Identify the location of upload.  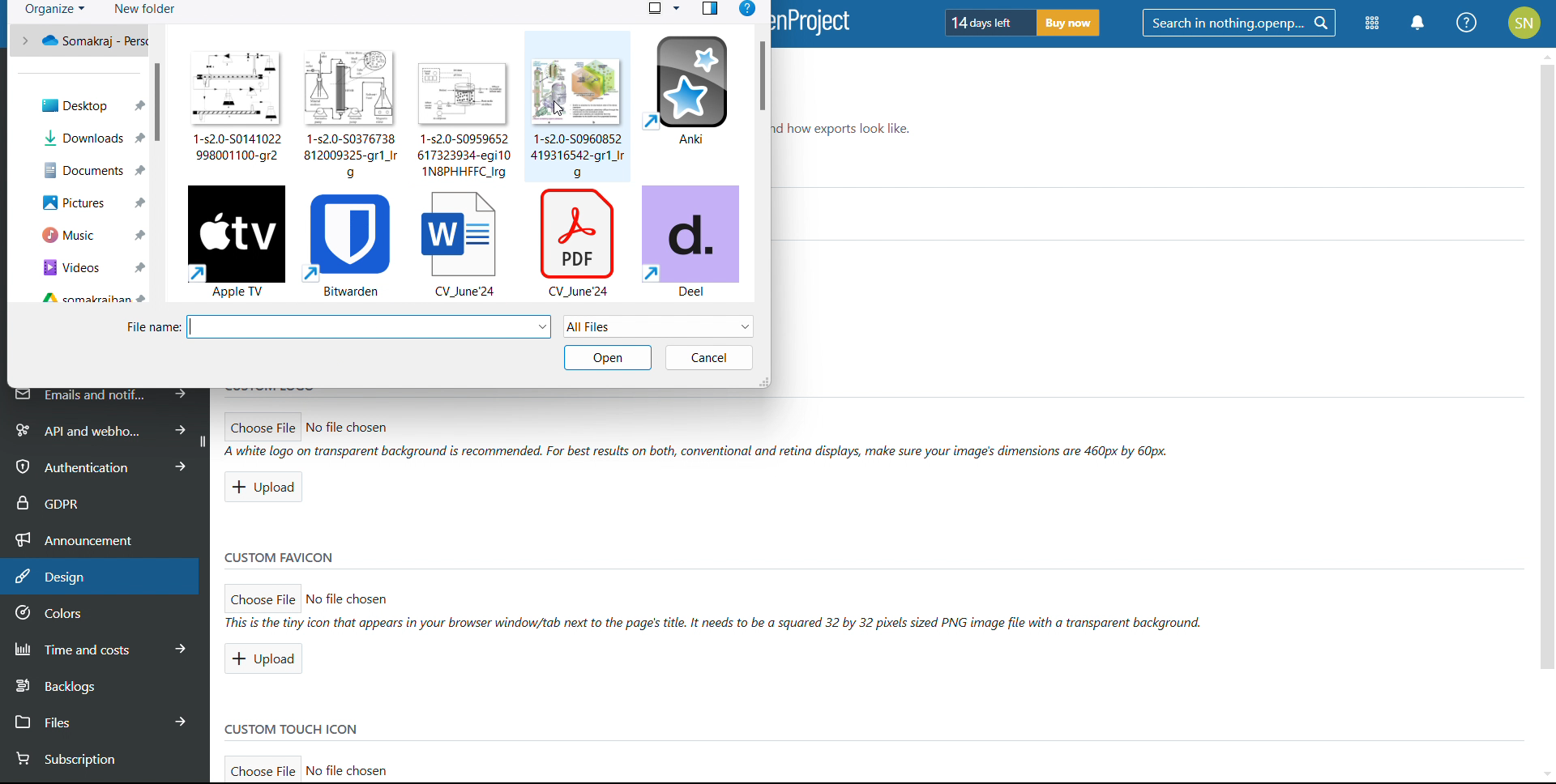
(264, 487).